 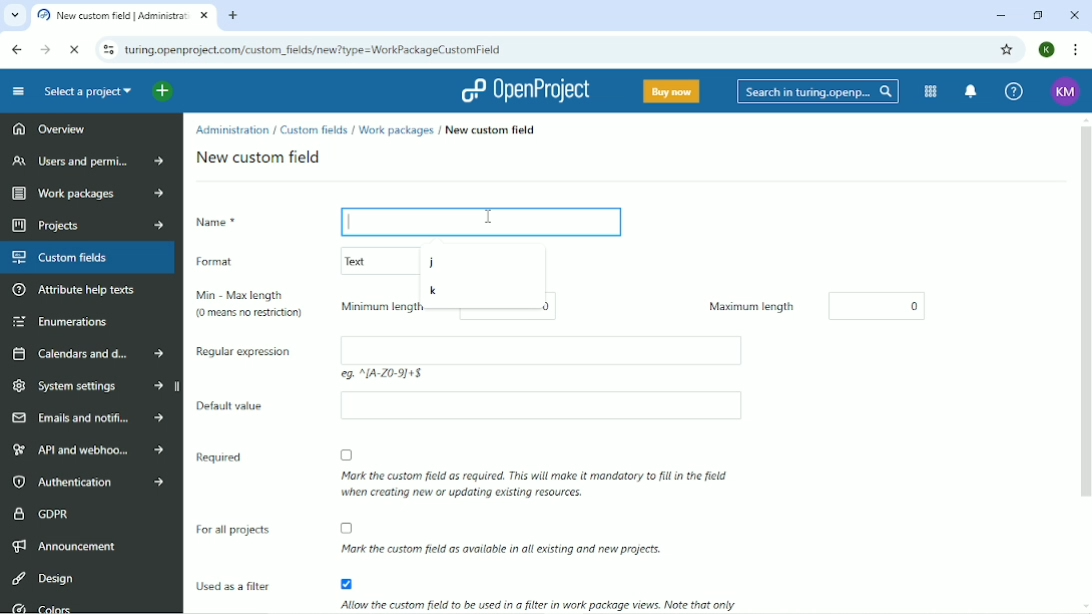 What do you see at coordinates (1074, 49) in the screenshot?
I see `Customize and control google chrome` at bounding box center [1074, 49].